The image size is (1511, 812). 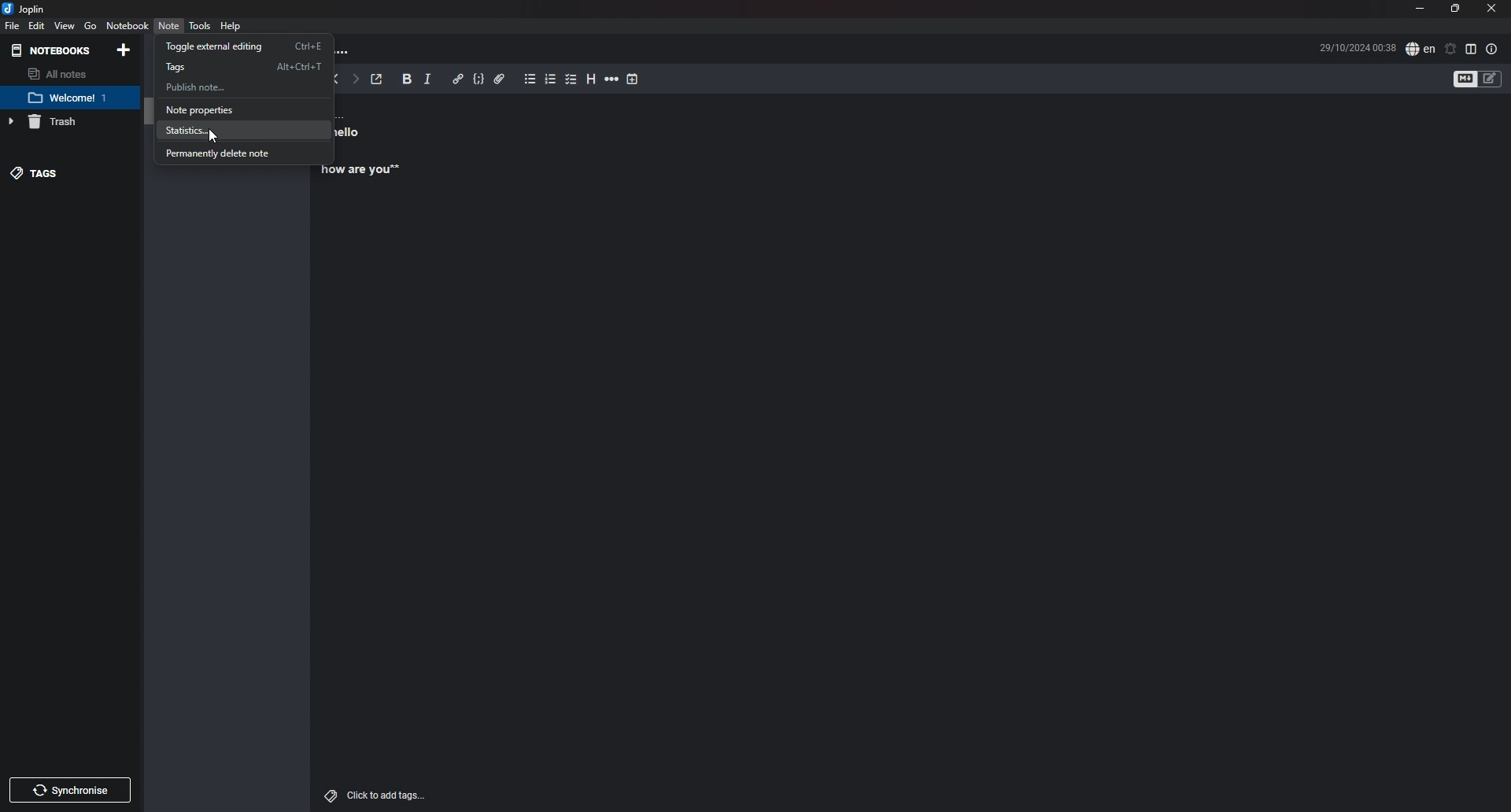 What do you see at coordinates (1421, 9) in the screenshot?
I see `Minimize` at bounding box center [1421, 9].